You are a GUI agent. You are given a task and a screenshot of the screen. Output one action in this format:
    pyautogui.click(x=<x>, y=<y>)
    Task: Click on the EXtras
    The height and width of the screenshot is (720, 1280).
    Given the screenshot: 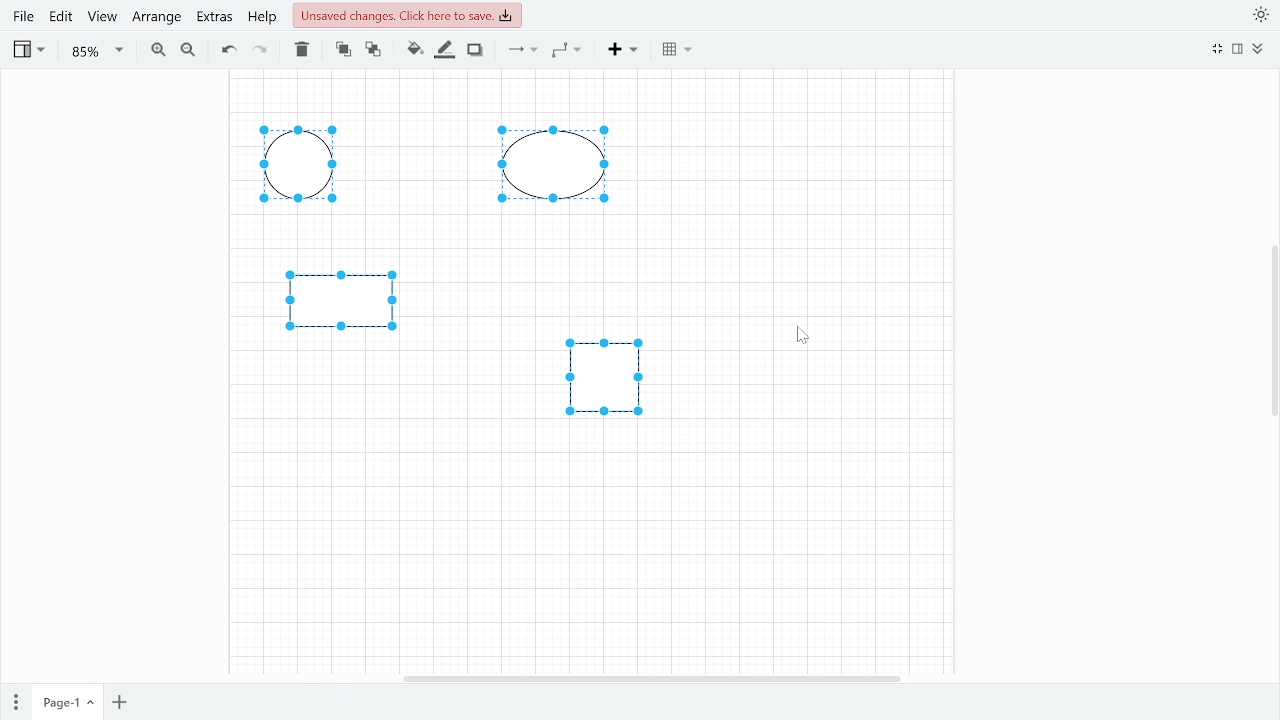 What is the action you would take?
    pyautogui.click(x=214, y=19)
    